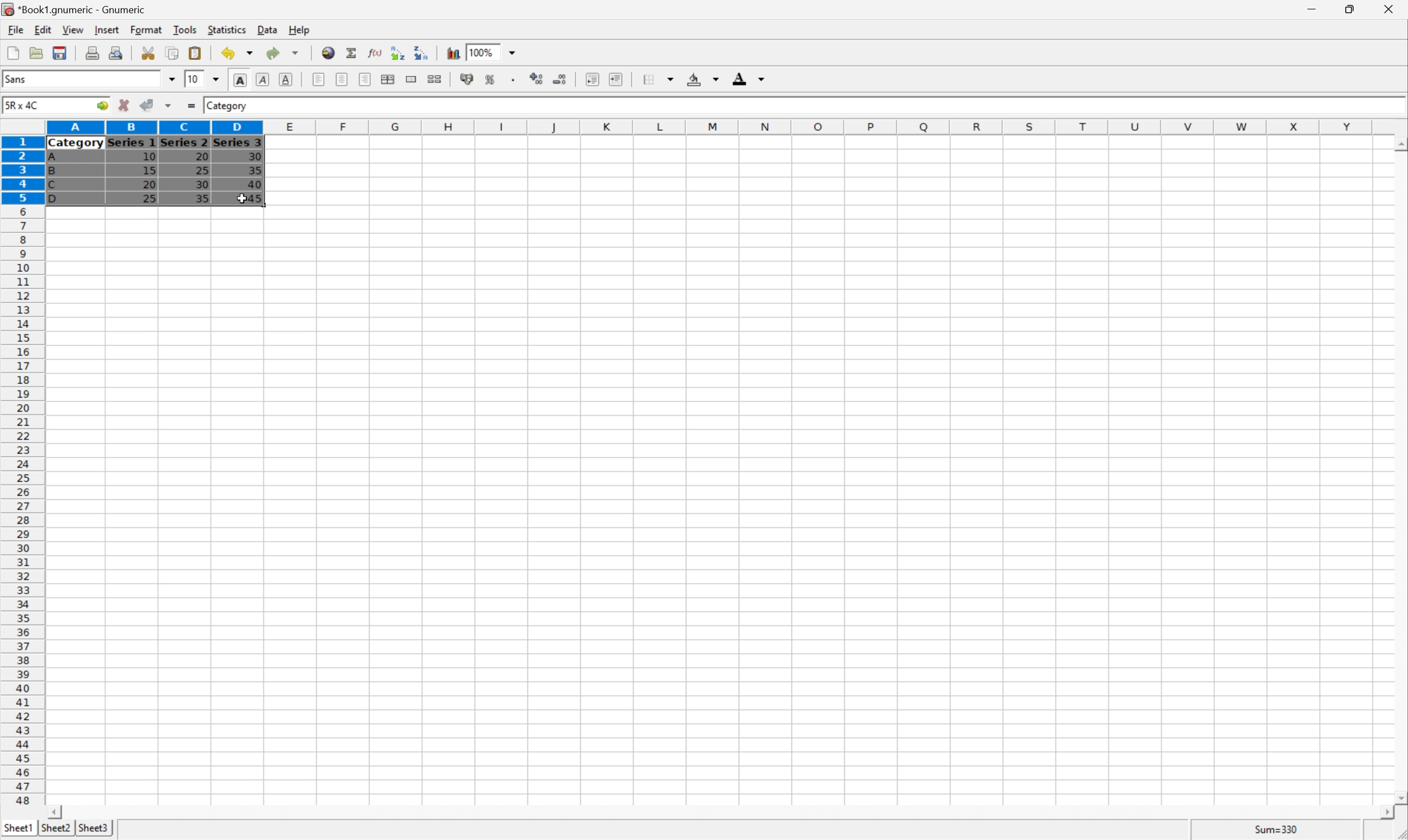 The image size is (1408, 840). Describe the element at coordinates (124, 103) in the screenshot. I see `Cancel changes` at that location.